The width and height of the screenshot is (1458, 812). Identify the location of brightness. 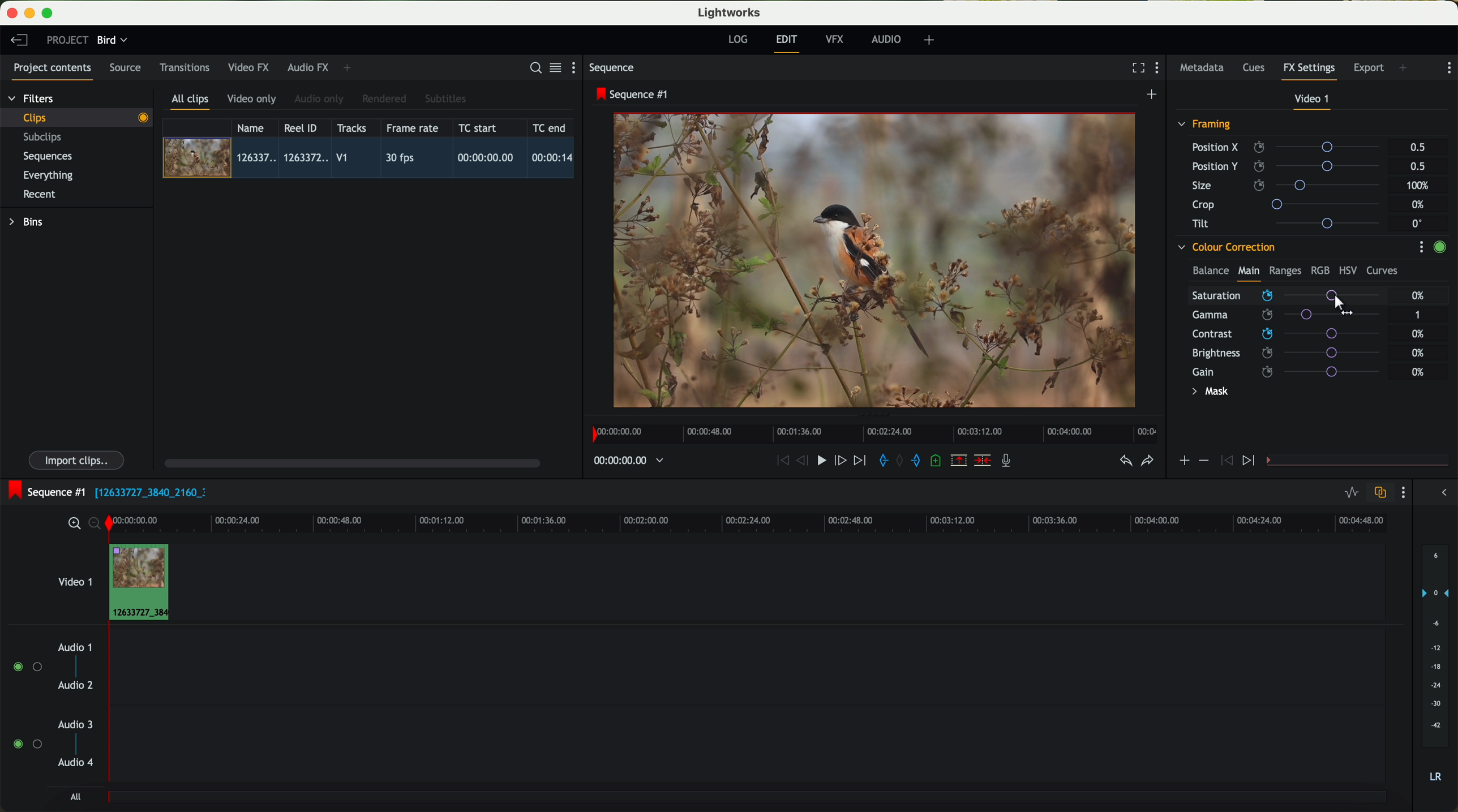
(1293, 353).